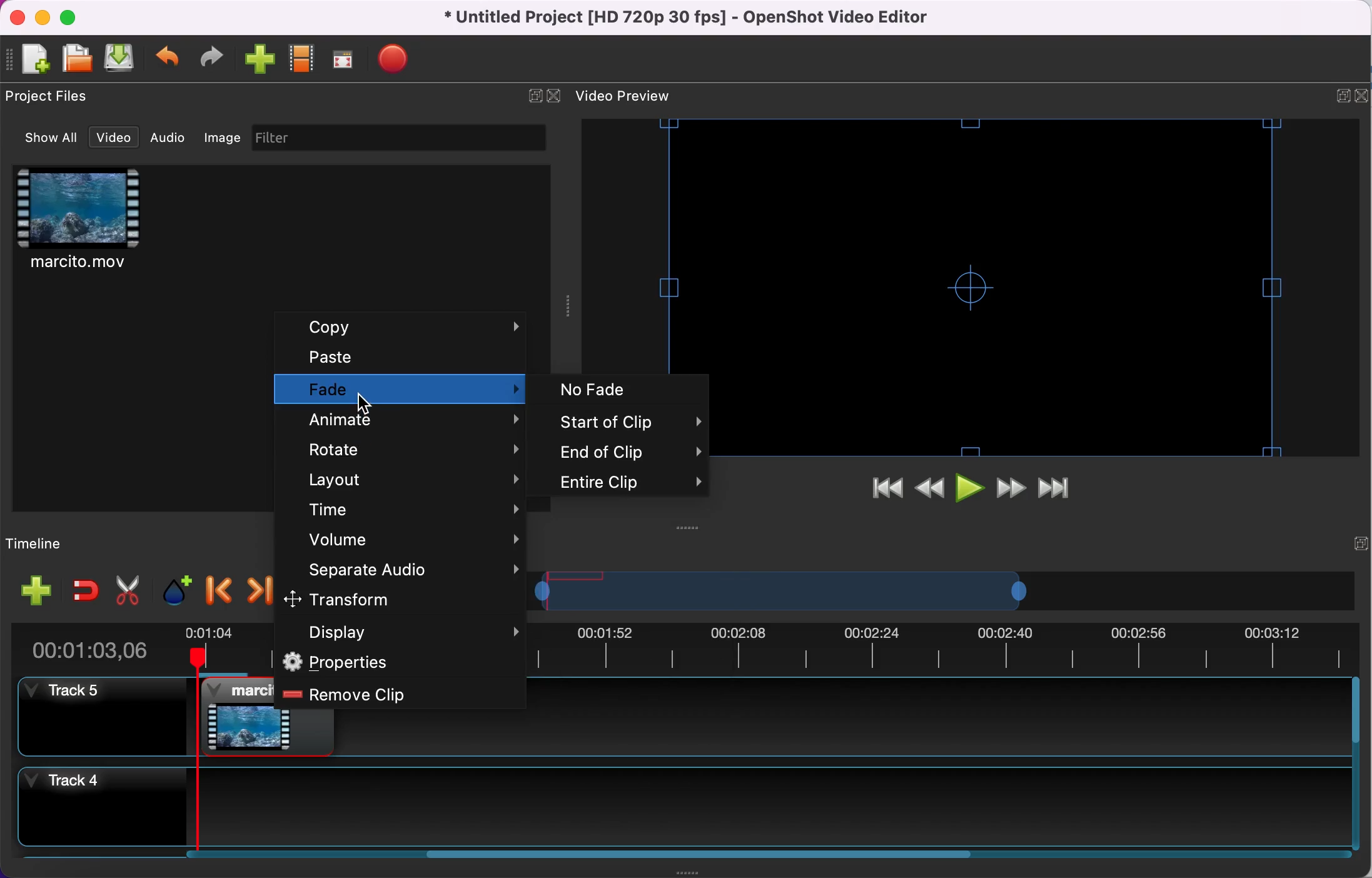 Image resolution: width=1372 pixels, height=878 pixels. What do you see at coordinates (401, 391) in the screenshot?
I see `fade` at bounding box center [401, 391].